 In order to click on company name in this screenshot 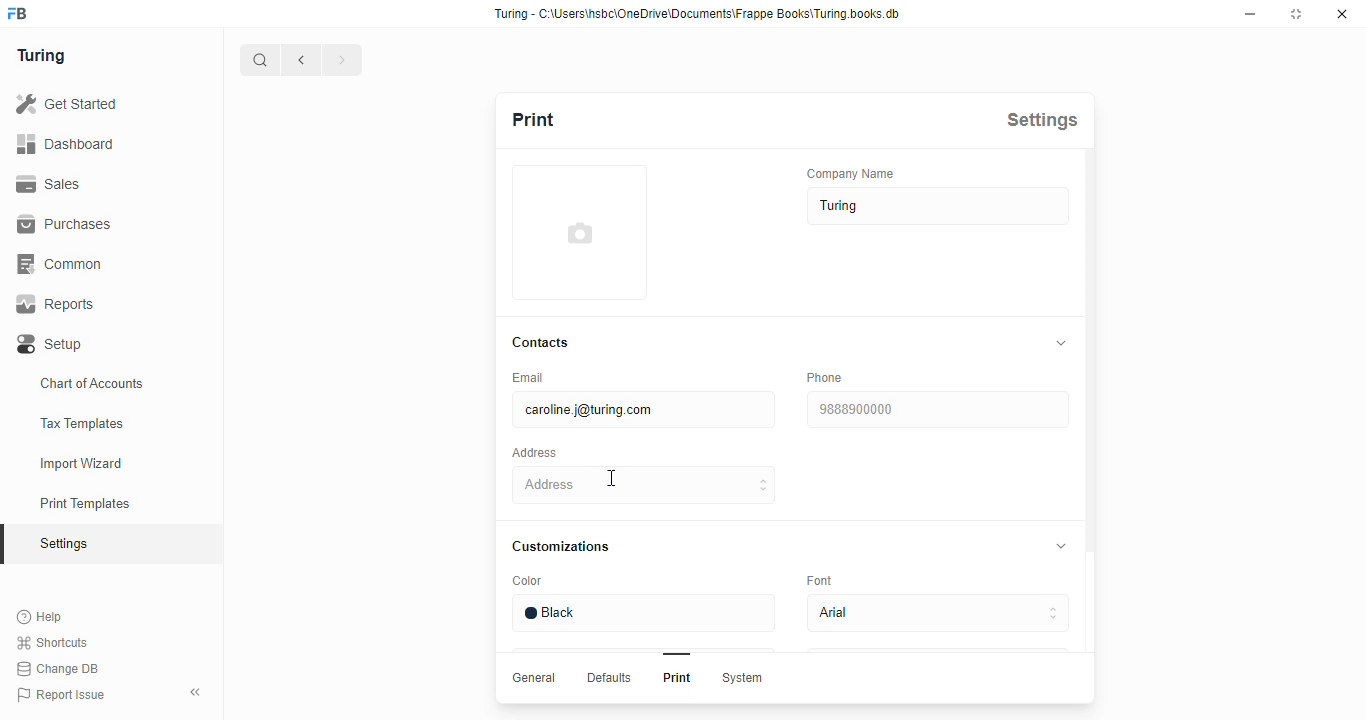, I will do `click(851, 173)`.